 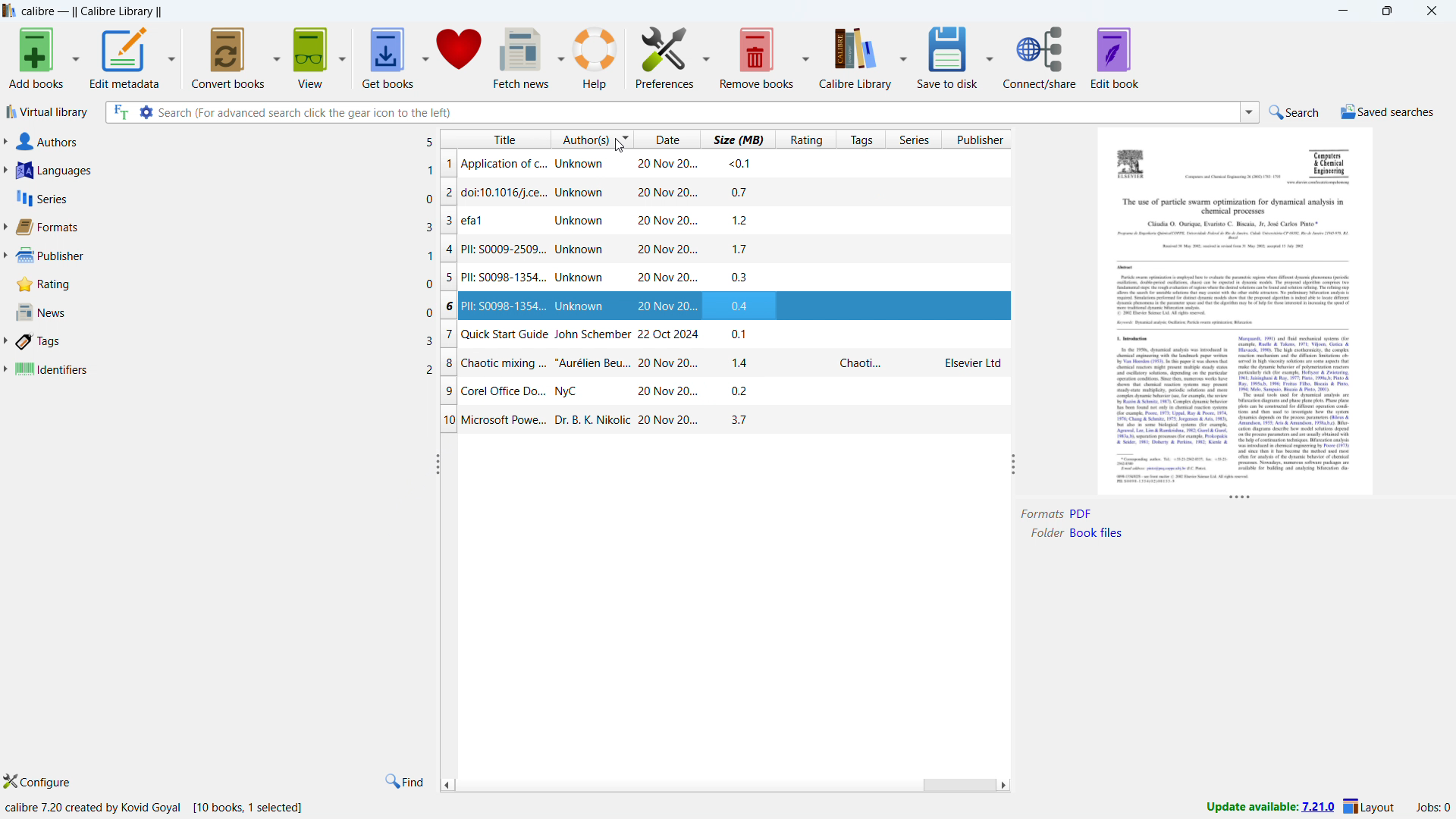 I want to click on sort by tags, so click(x=859, y=139).